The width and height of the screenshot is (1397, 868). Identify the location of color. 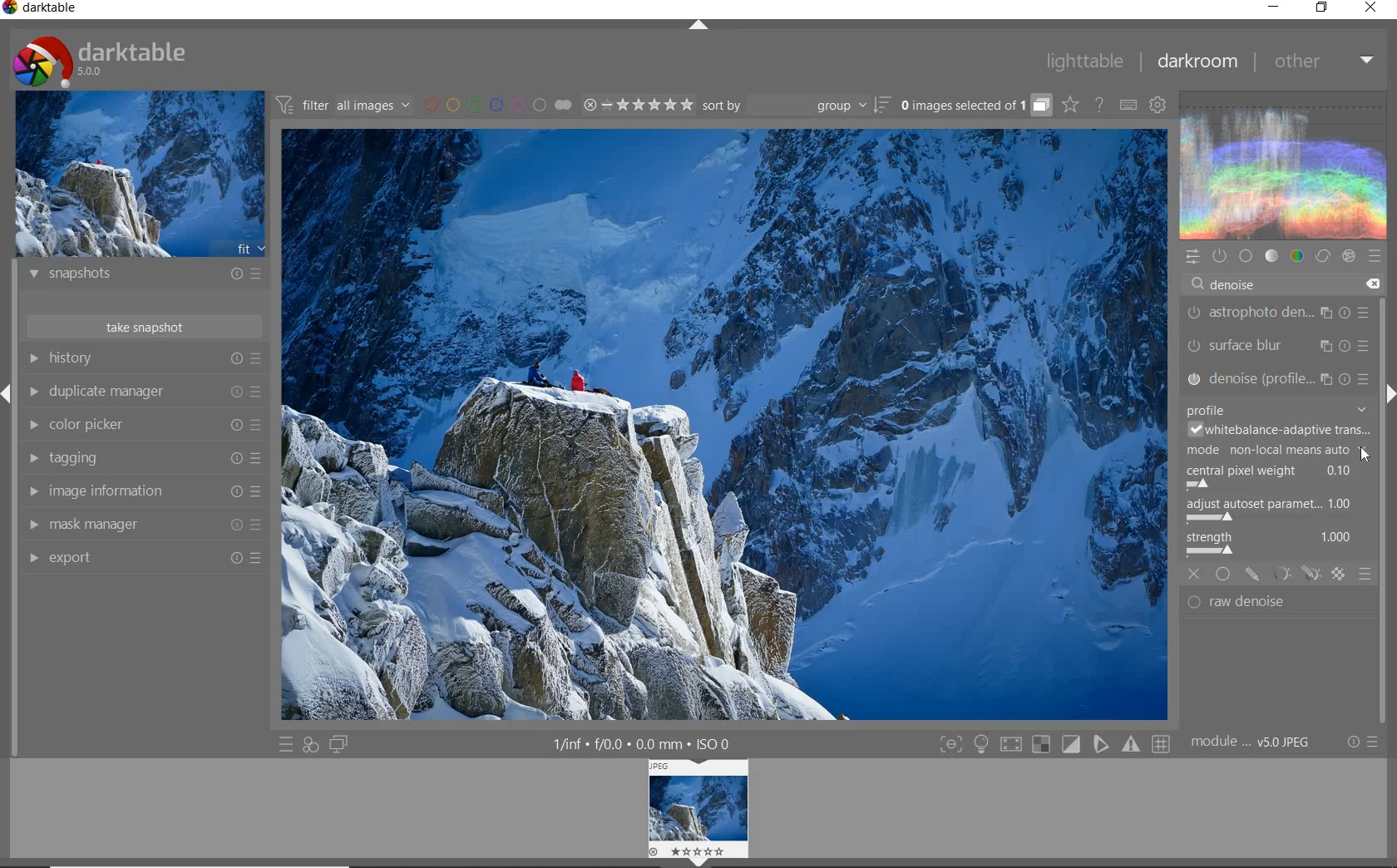
(1298, 255).